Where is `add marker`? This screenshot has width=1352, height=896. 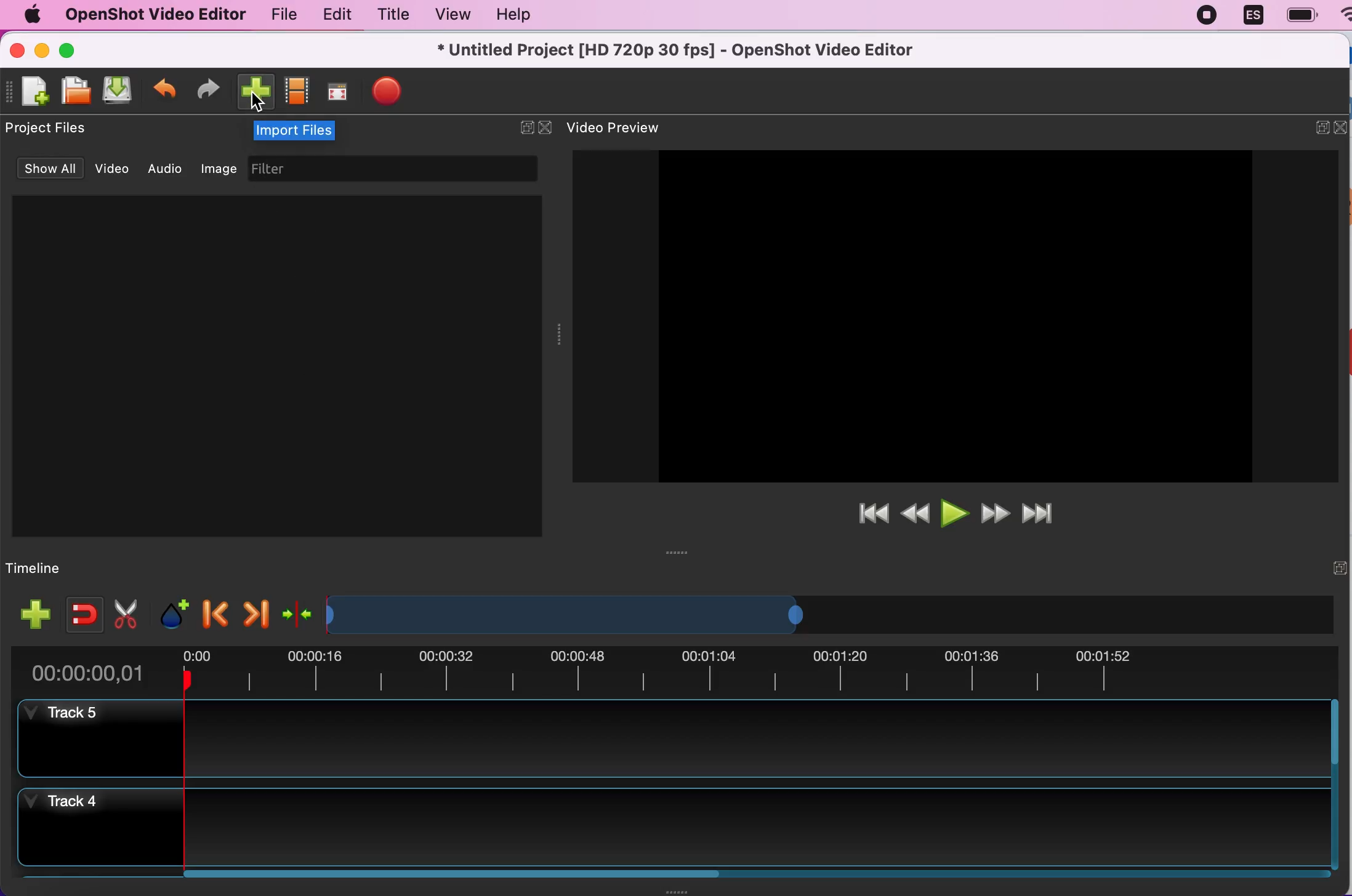
add marker is located at coordinates (175, 612).